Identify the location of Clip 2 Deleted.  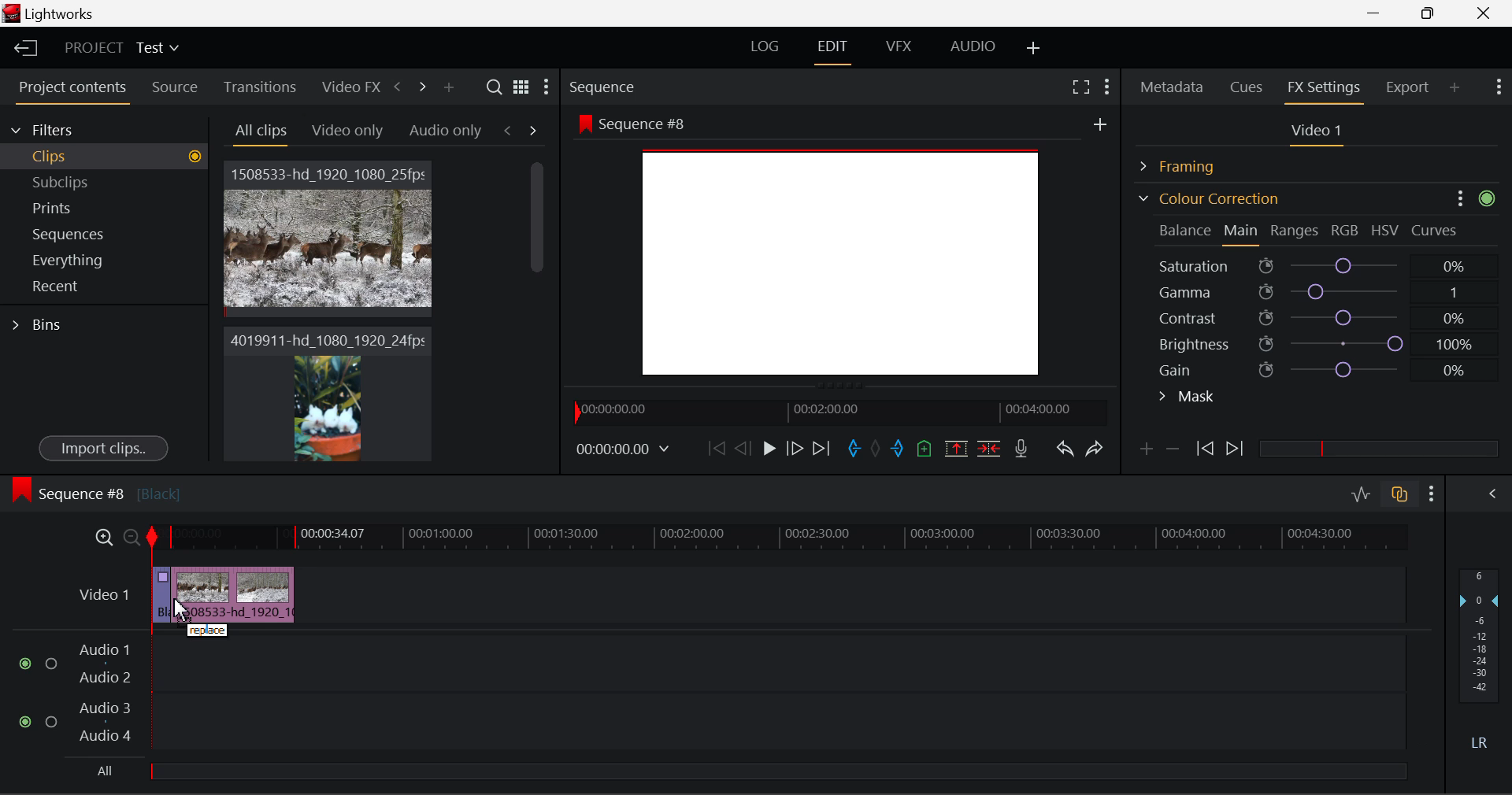
(235, 594).